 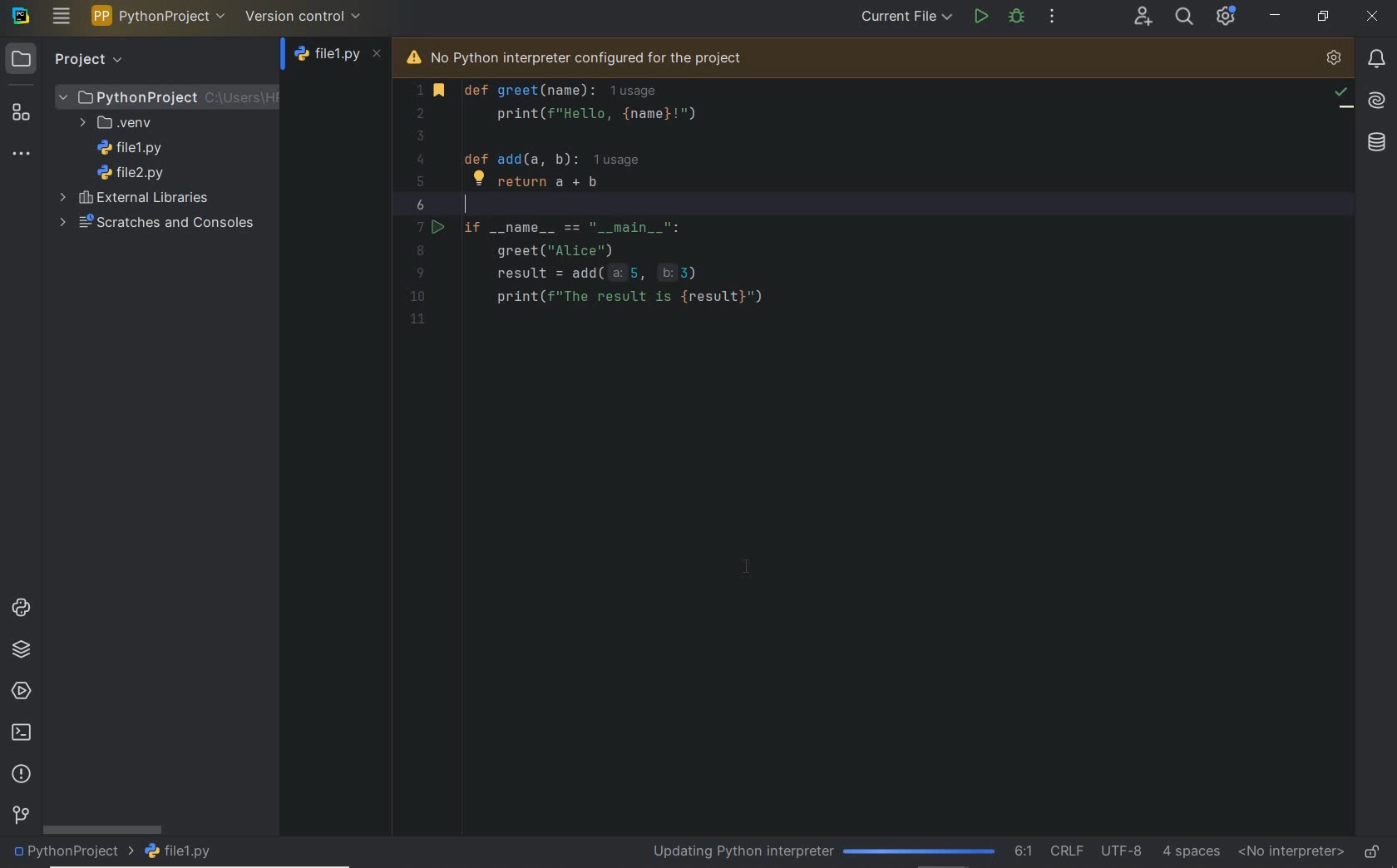 What do you see at coordinates (1022, 851) in the screenshot?
I see `go to line` at bounding box center [1022, 851].